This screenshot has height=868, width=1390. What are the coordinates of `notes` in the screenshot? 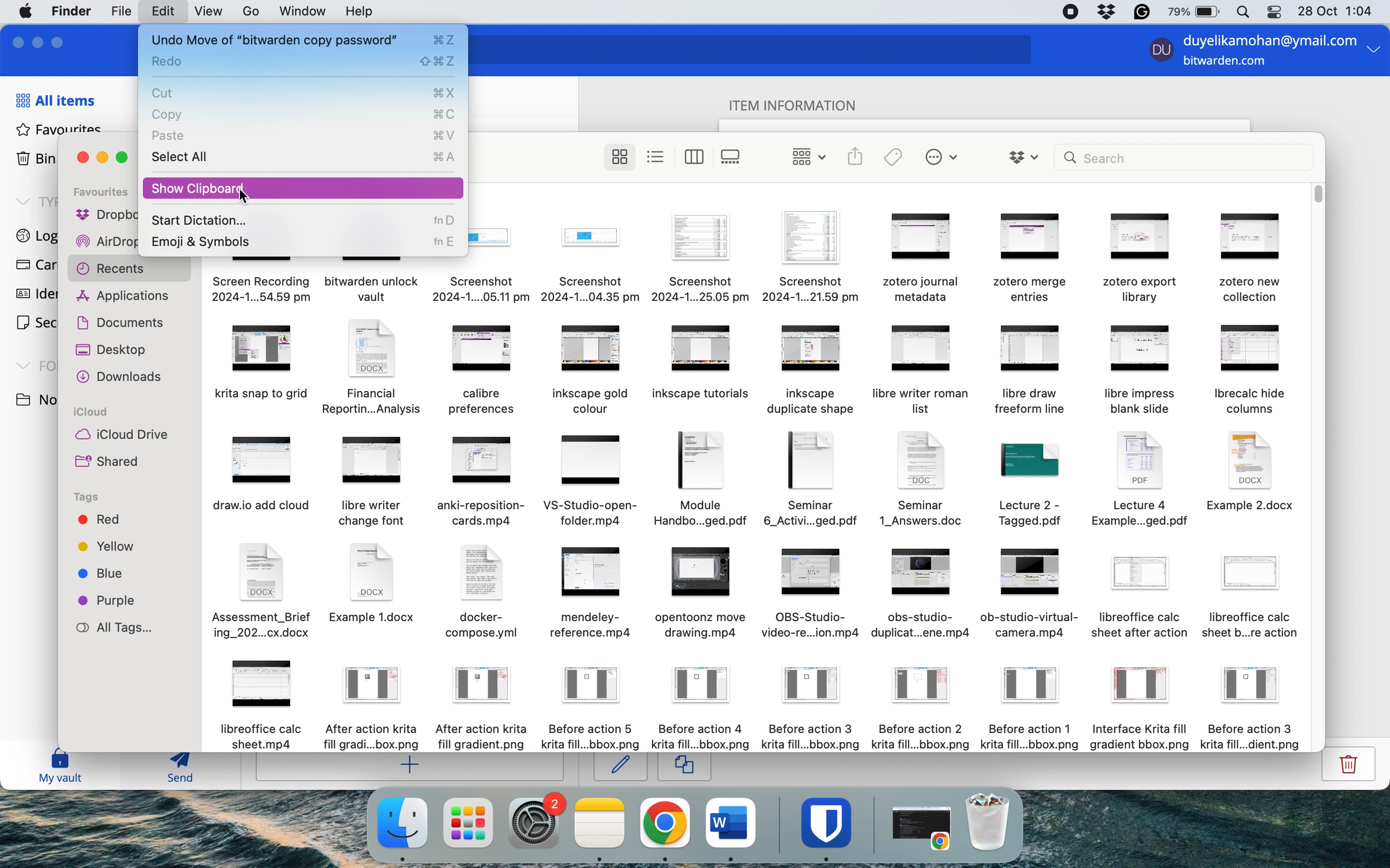 It's located at (601, 823).